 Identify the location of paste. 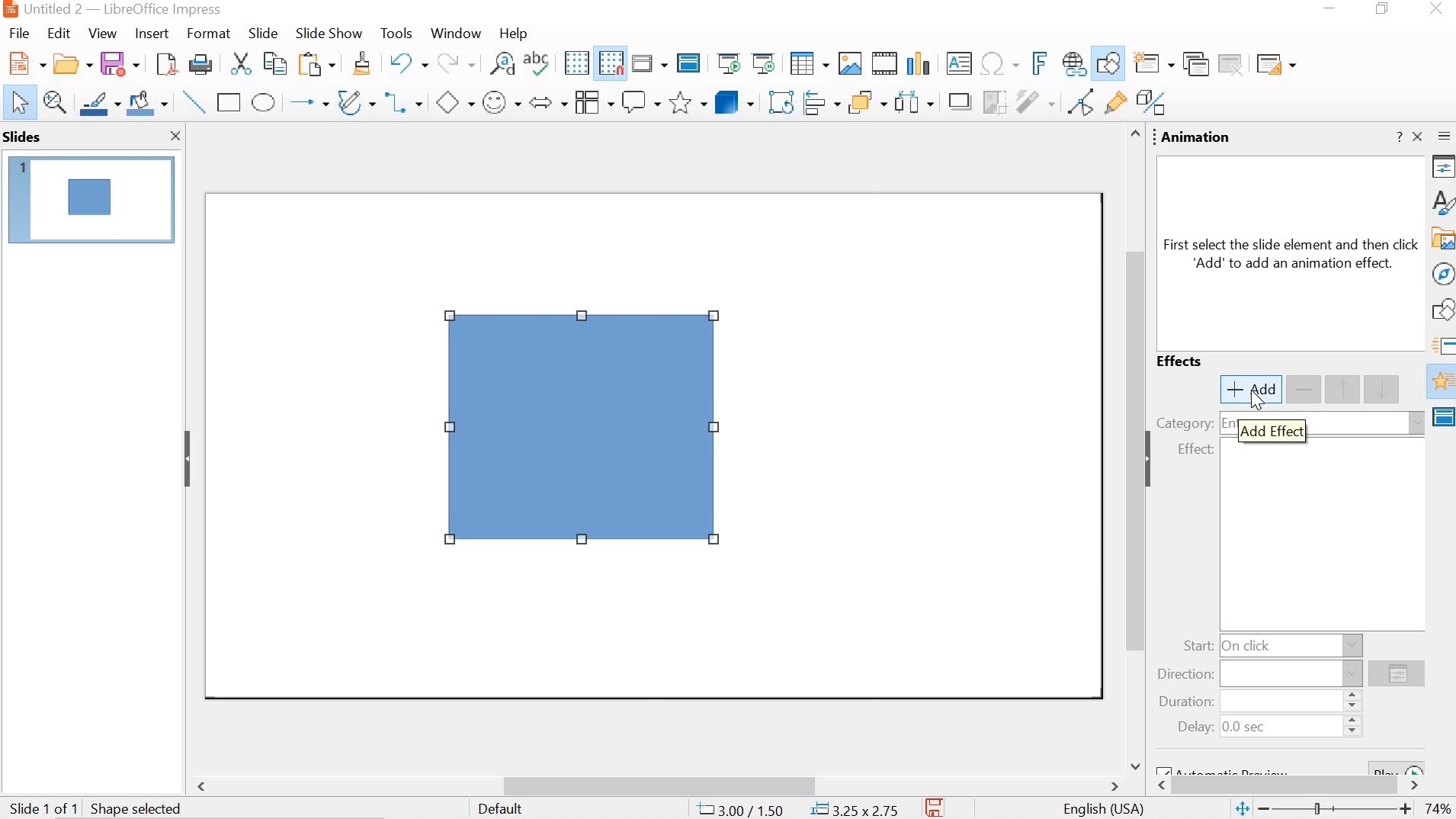
(318, 64).